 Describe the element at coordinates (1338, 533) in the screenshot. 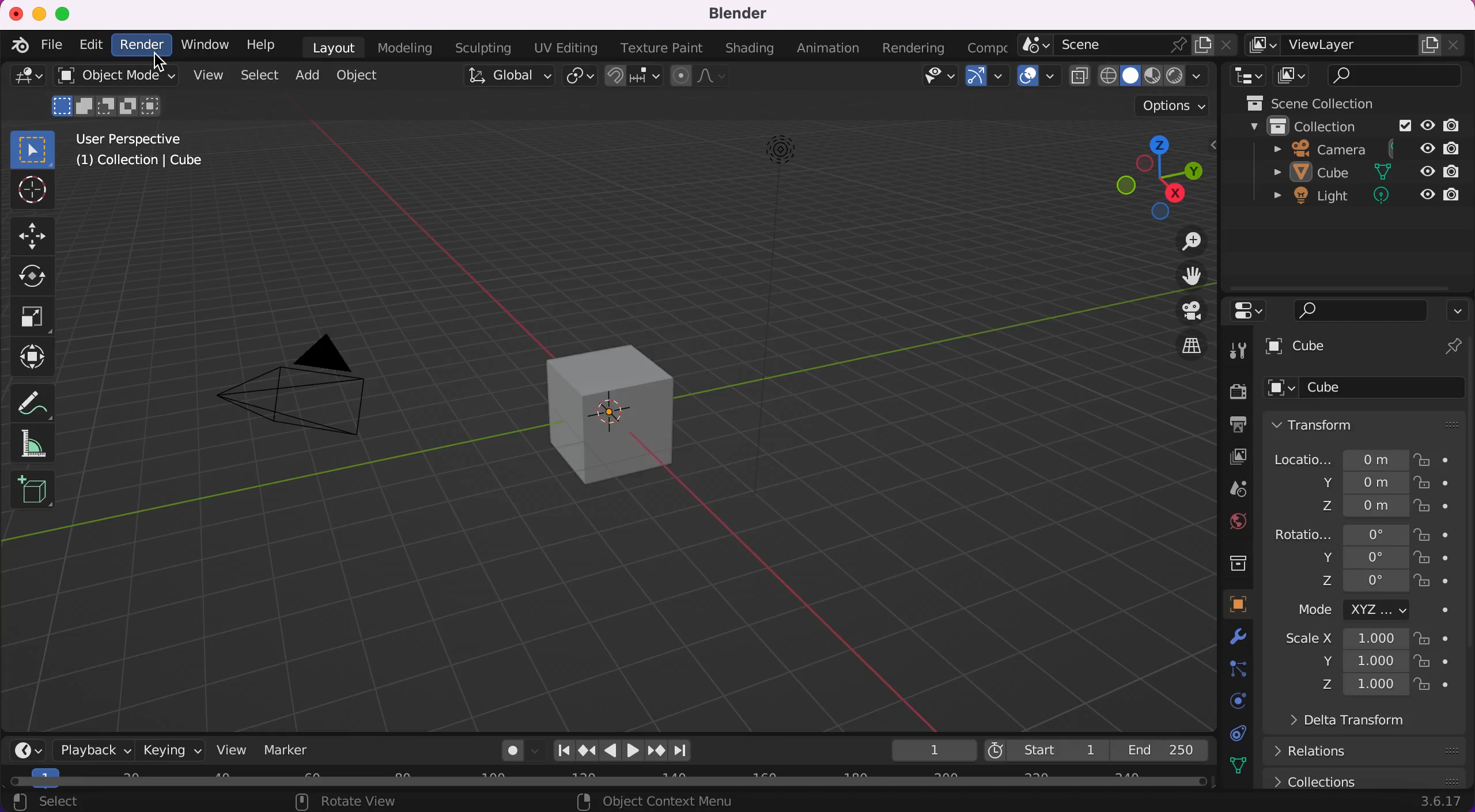

I see `rotatio... 0` at that location.